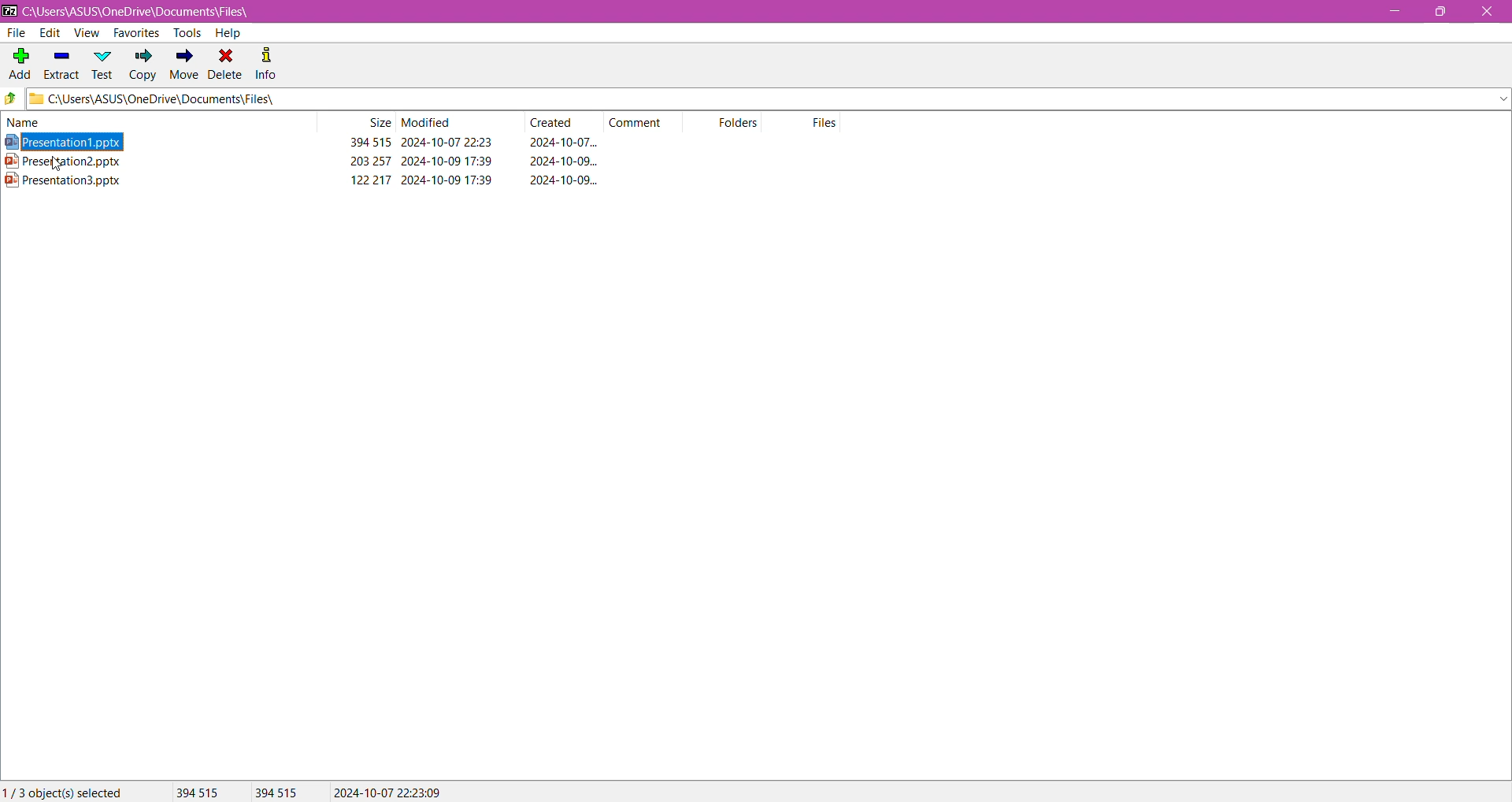  Describe the element at coordinates (135, 34) in the screenshot. I see `Favorites` at that location.